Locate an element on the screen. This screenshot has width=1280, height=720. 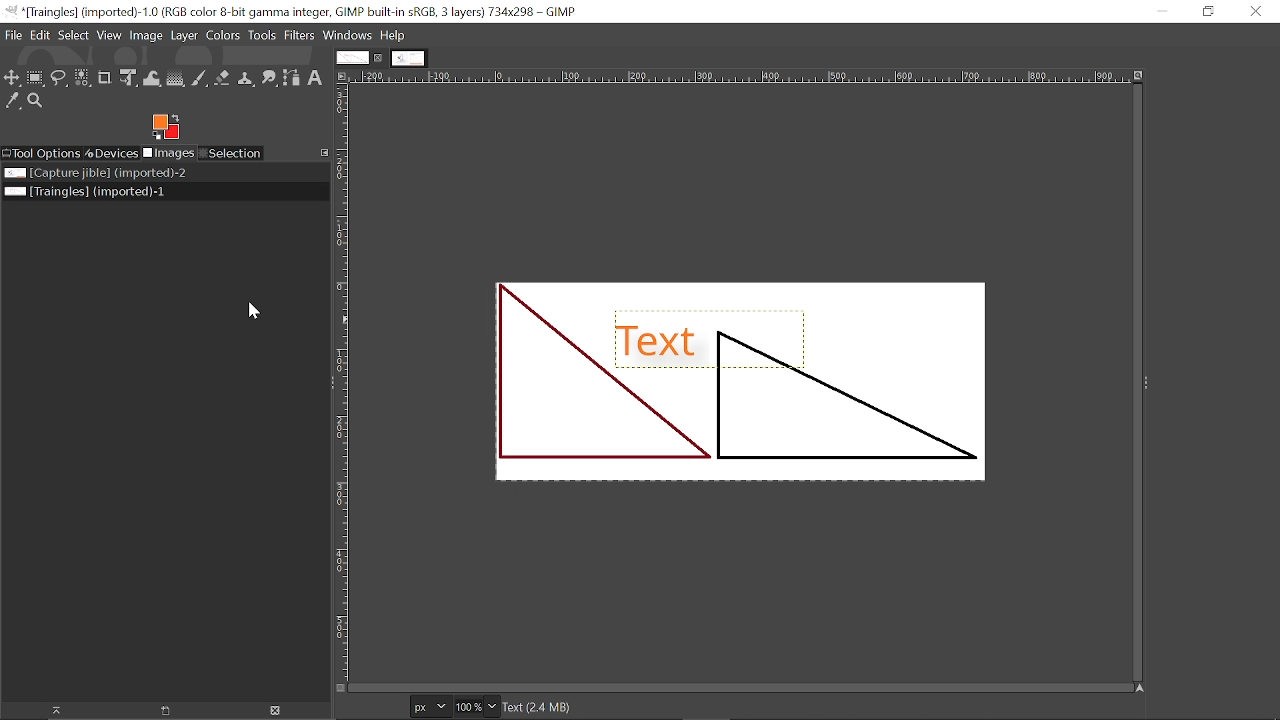
Crop tool is located at coordinates (106, 79).